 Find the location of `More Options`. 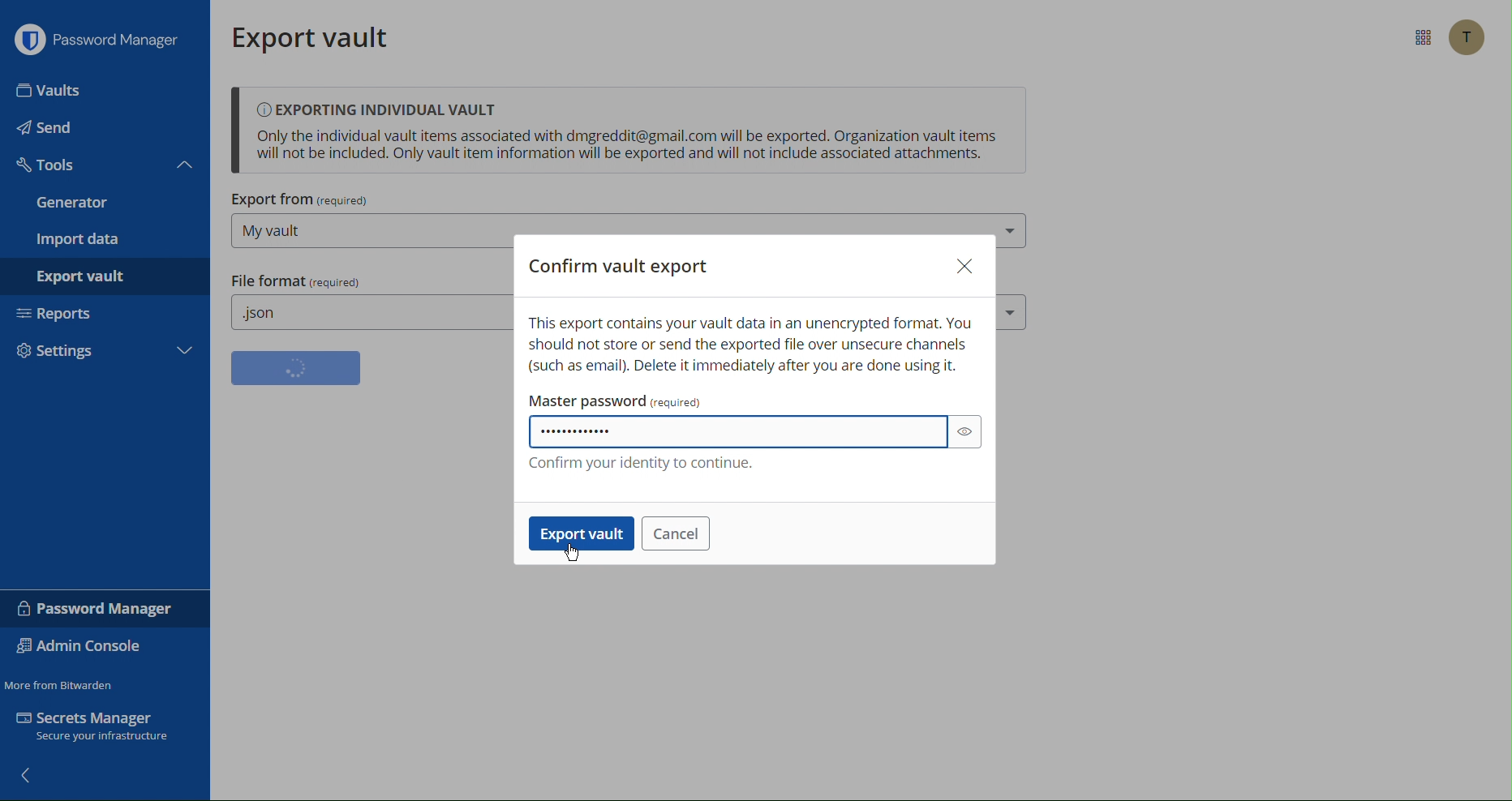

More Options is located at coordinates (1422, 38).